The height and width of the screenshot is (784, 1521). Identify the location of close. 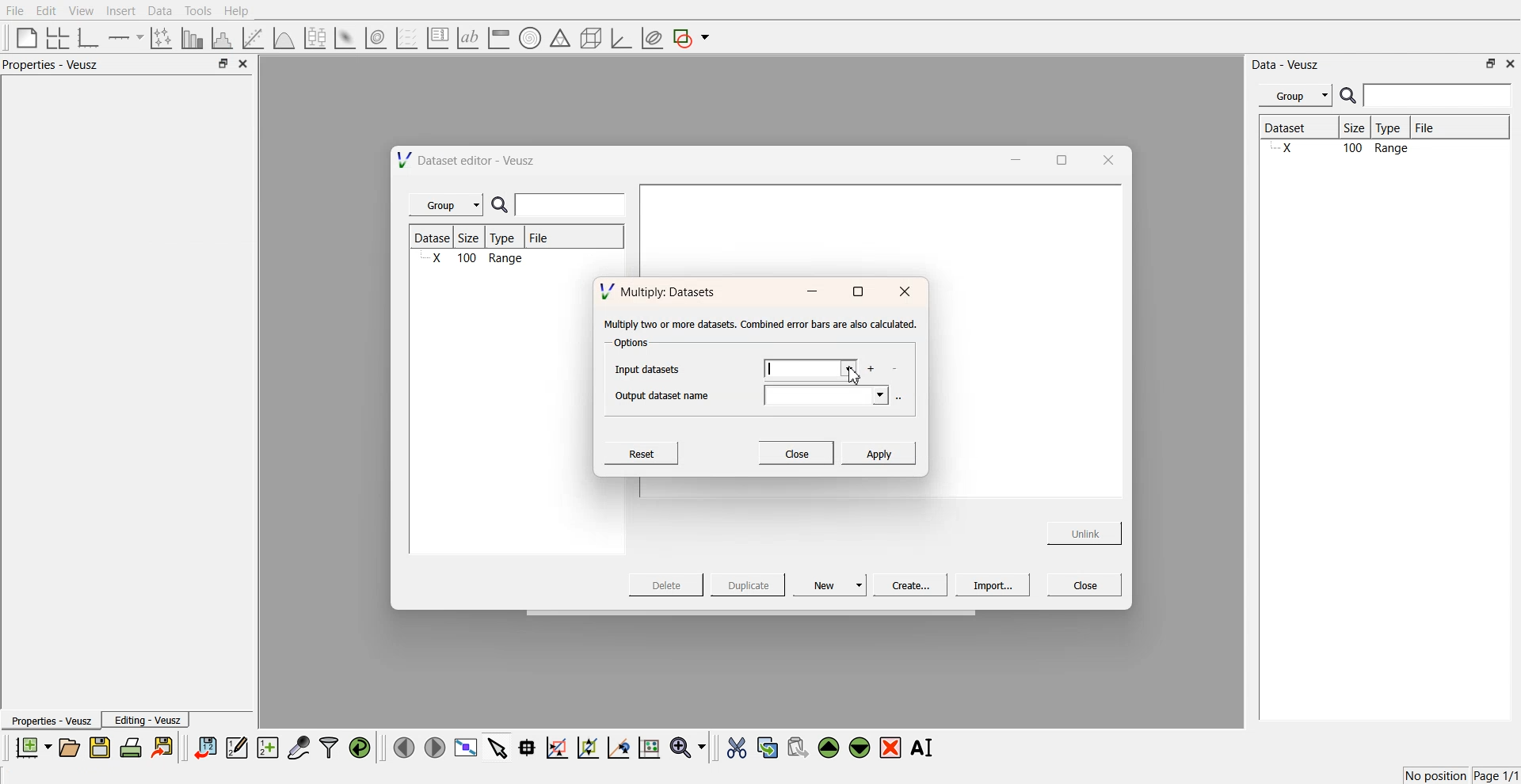
(1511, 63).